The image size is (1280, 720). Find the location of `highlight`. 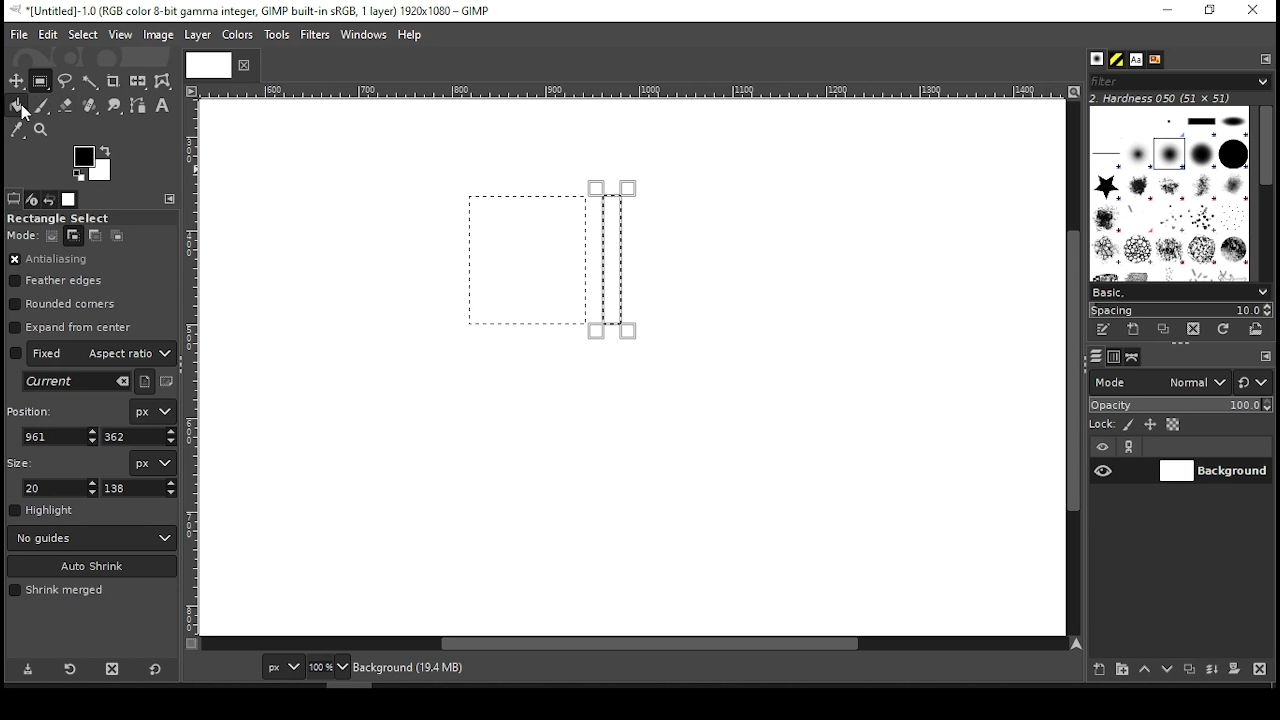

highlight is located at coordinates (42, 510).